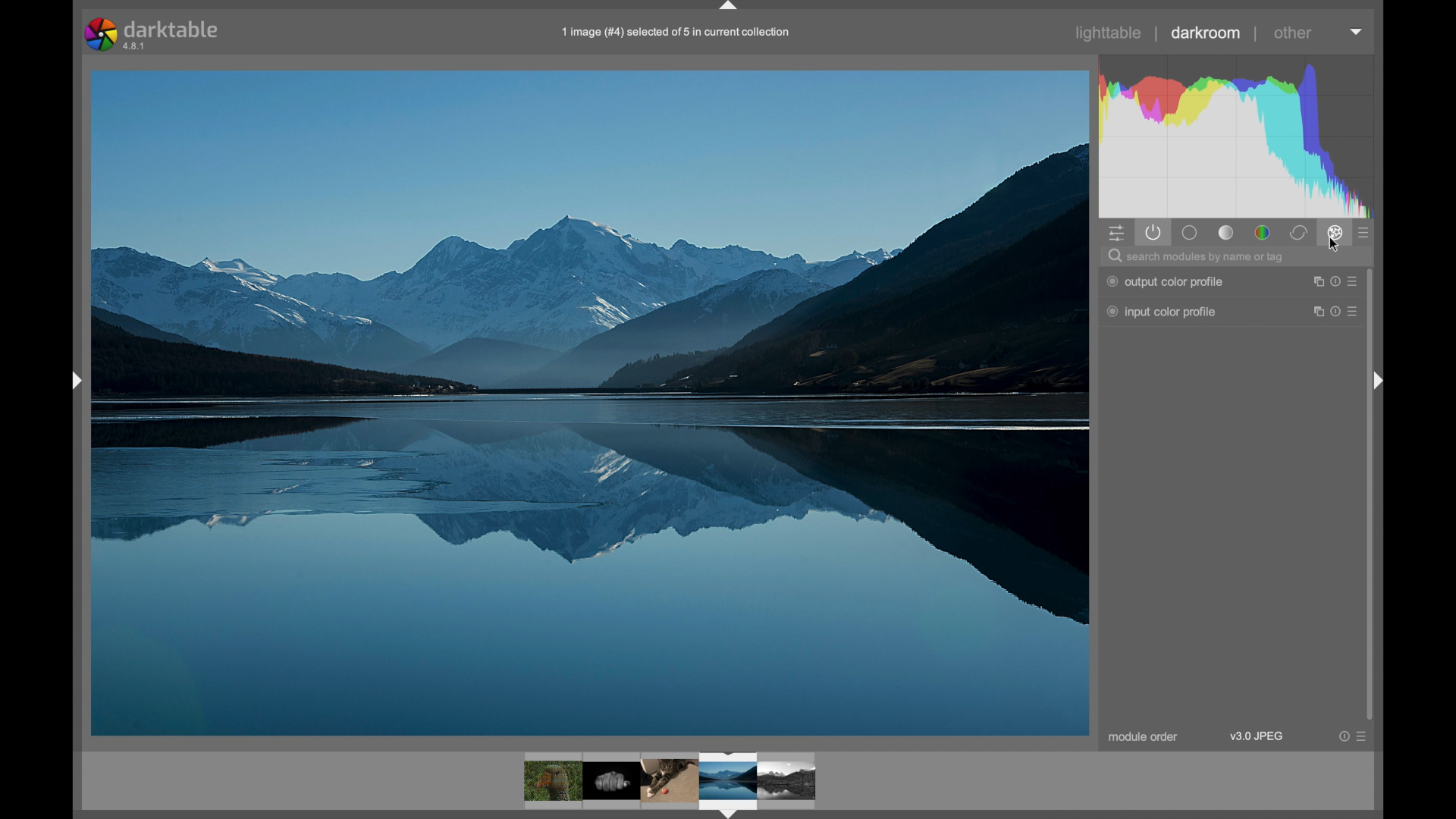 The image size is (1456, 819). I want to click on photo preview, so click(590, 401).